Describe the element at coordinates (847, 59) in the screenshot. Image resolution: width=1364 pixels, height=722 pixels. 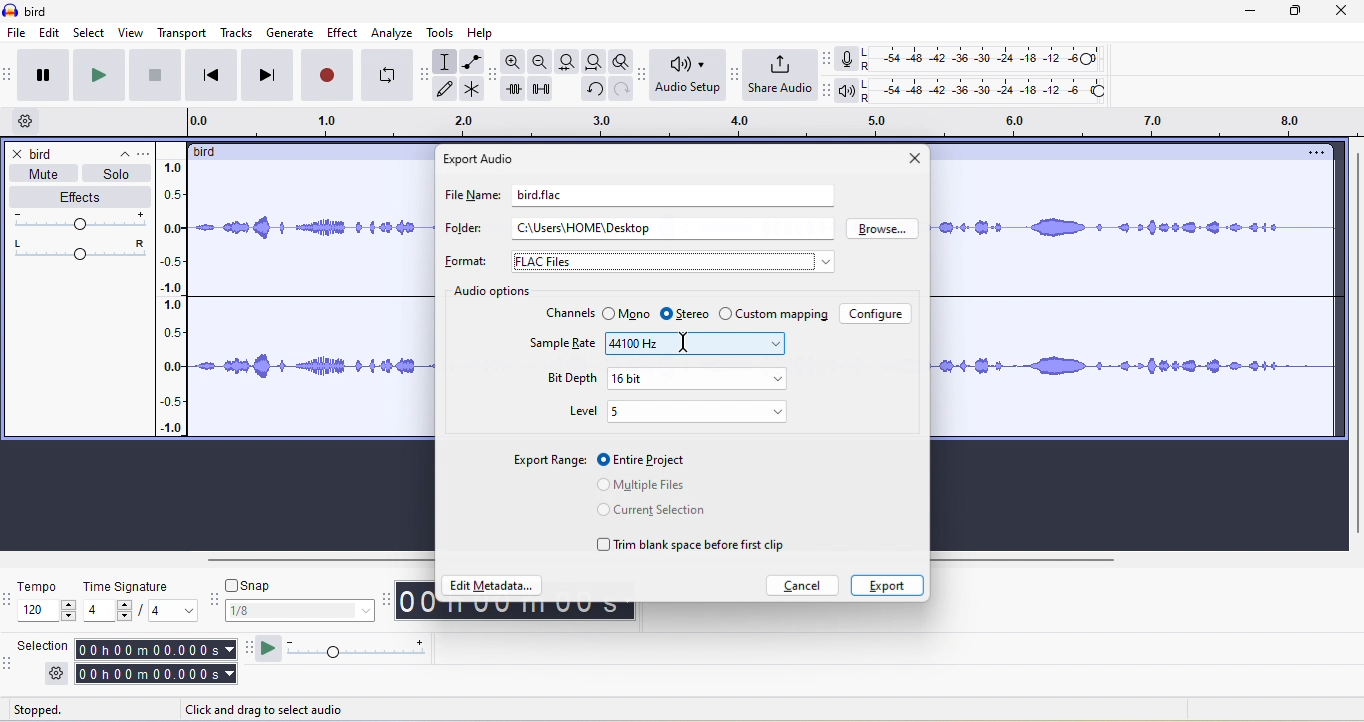
I see `record meter` at that location.